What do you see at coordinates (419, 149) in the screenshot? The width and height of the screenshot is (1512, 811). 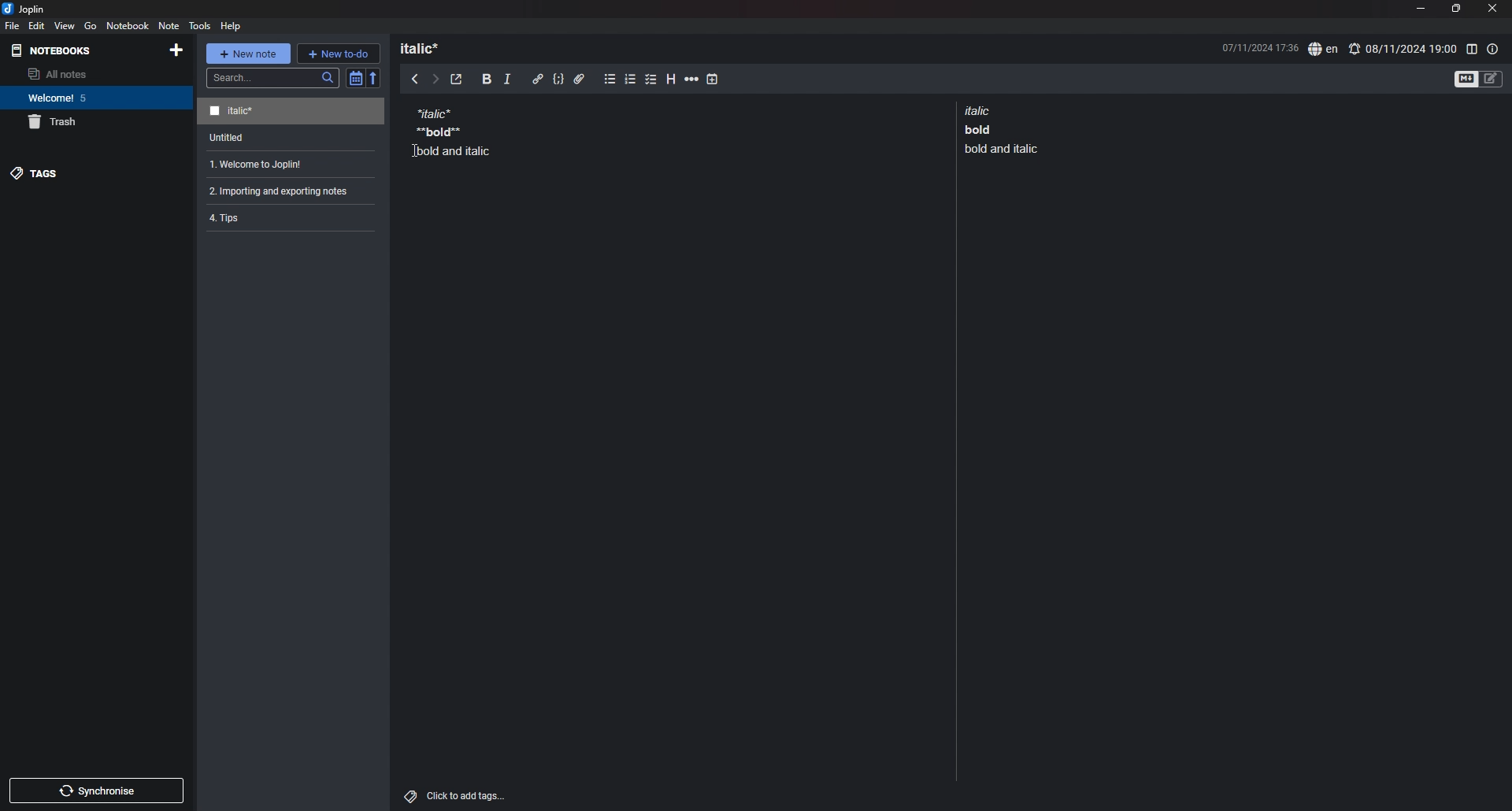 I see `Cursor` at bounding box center [419, 149].